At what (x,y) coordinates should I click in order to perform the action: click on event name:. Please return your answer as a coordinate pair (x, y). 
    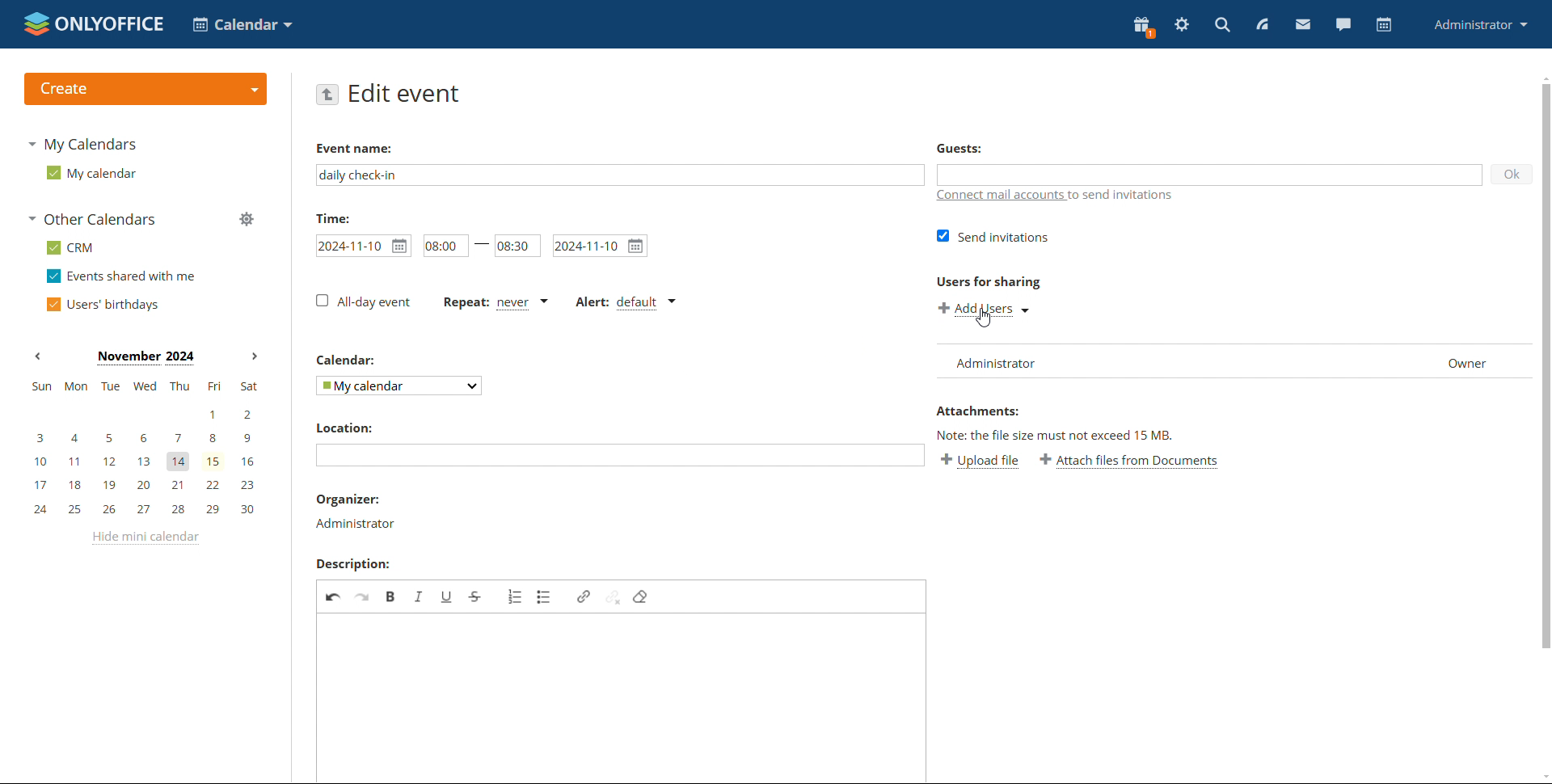
    Looking at the image, I should click on (368, 145).